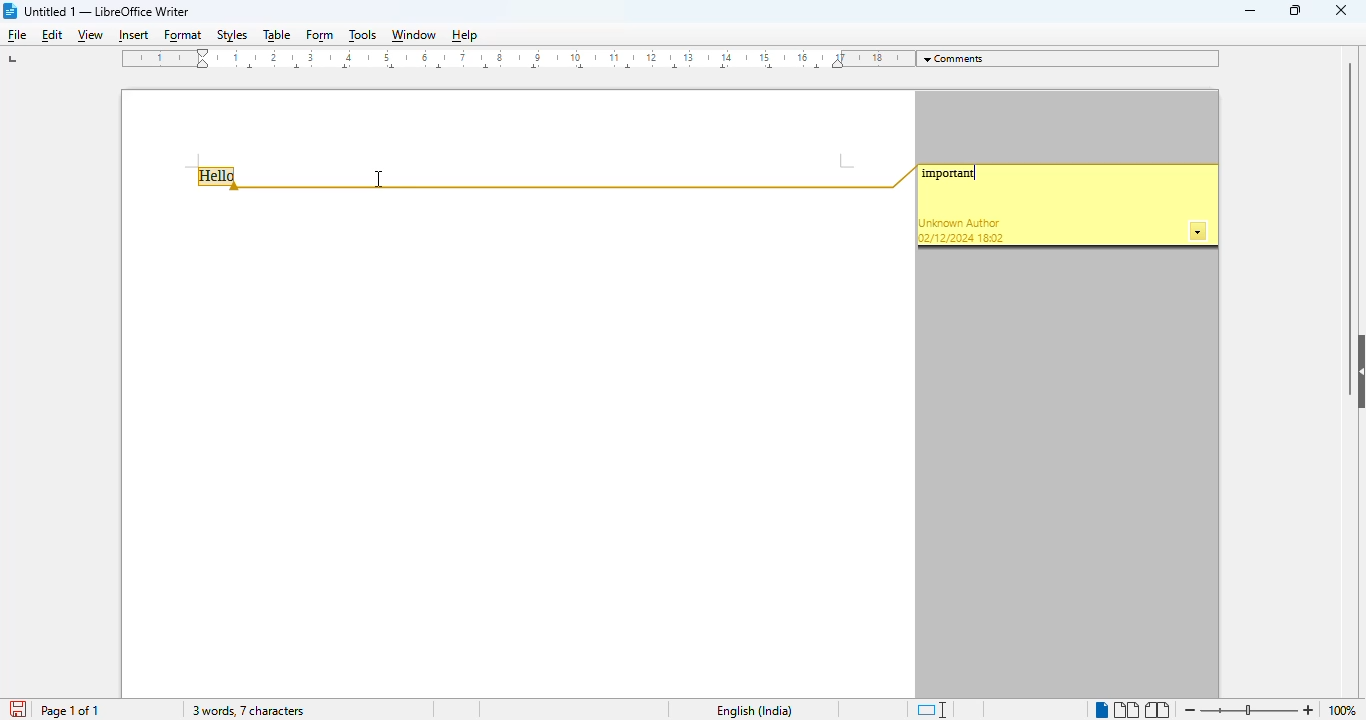 This screenshot has height=720, width=1366. I want to click on file, so click(18, 36).